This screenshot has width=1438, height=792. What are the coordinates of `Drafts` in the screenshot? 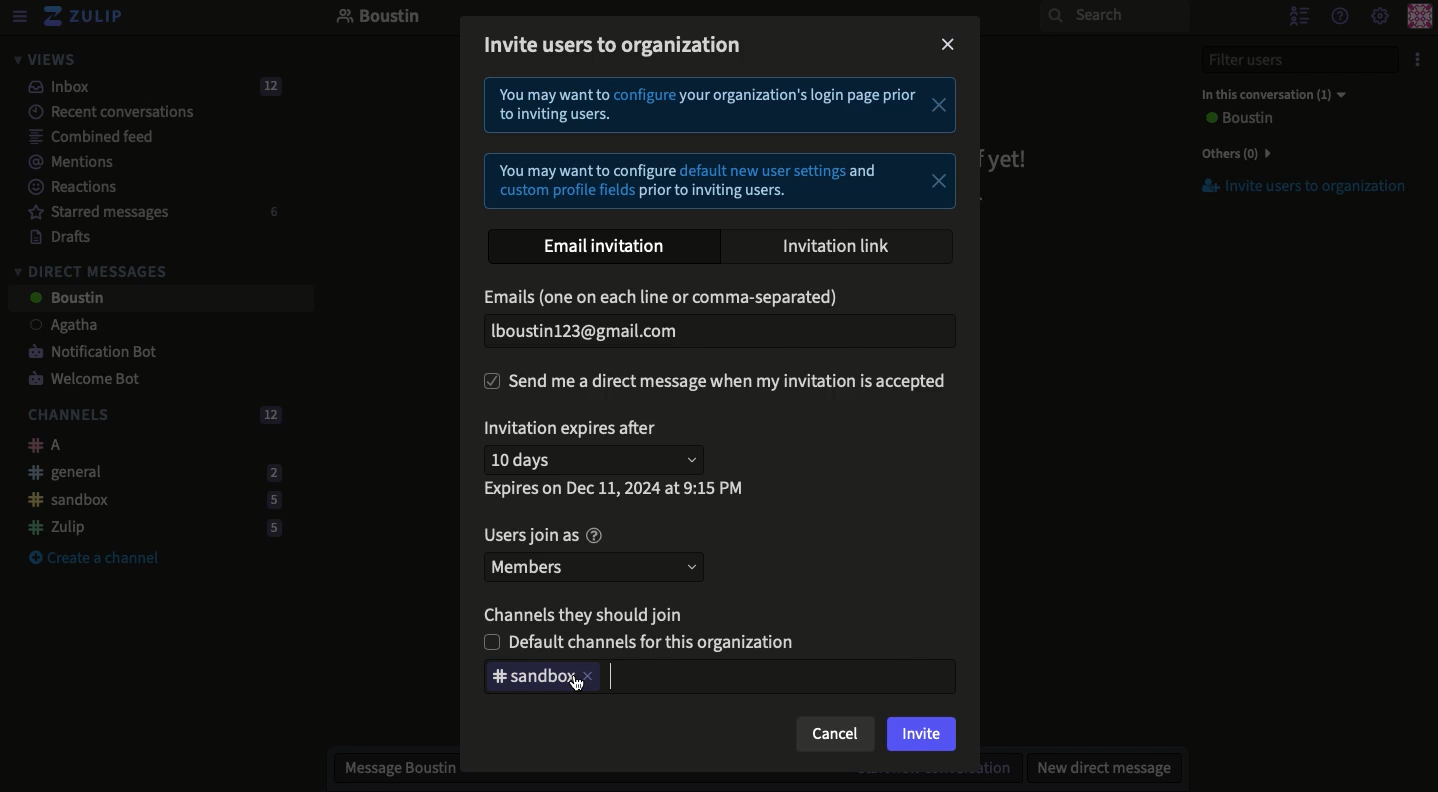 It's located at (51, 236).